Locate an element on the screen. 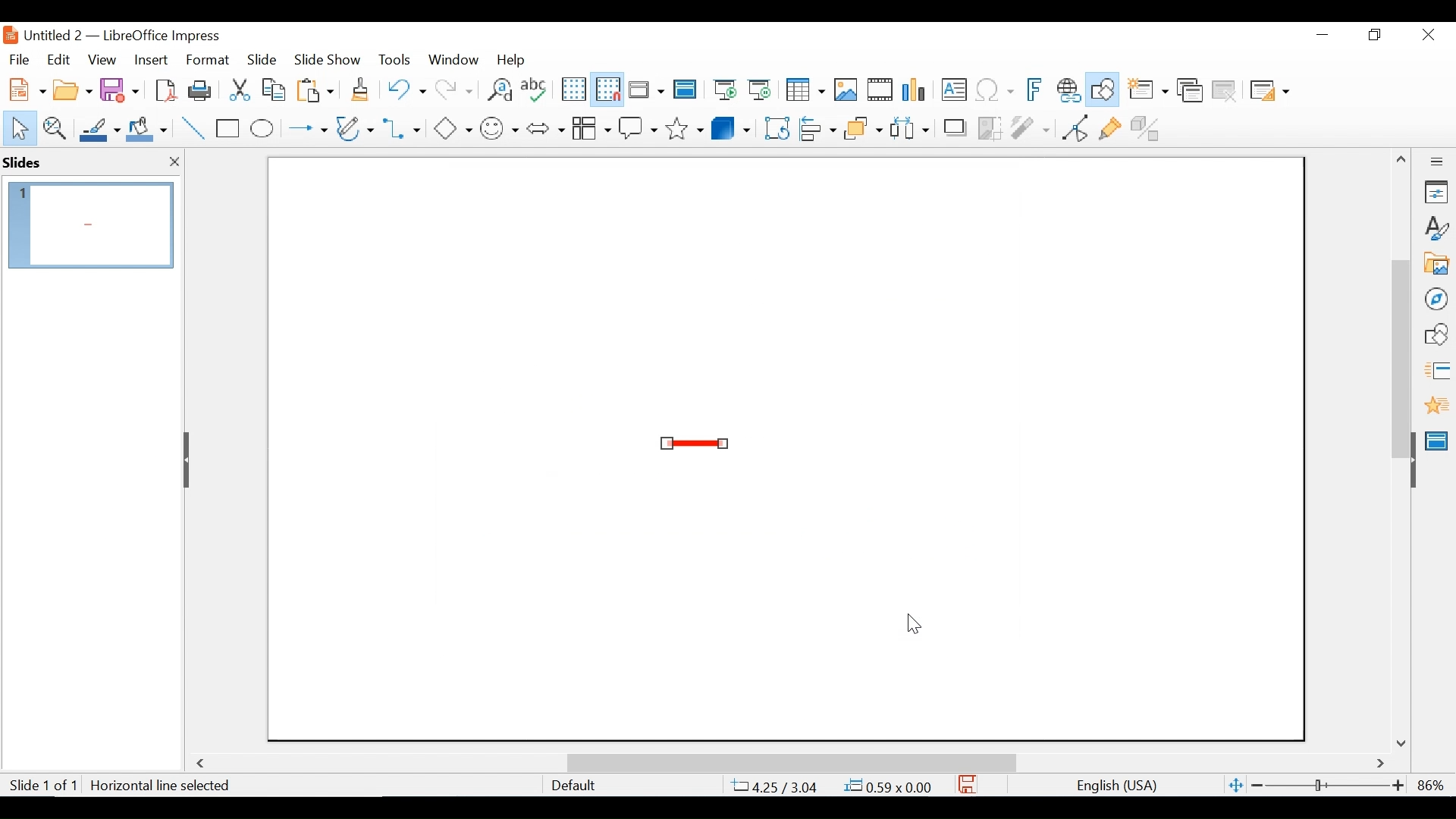 The height and width of the screenshot is (819, 1456). Navigator is located at coordinates (1436, 298).